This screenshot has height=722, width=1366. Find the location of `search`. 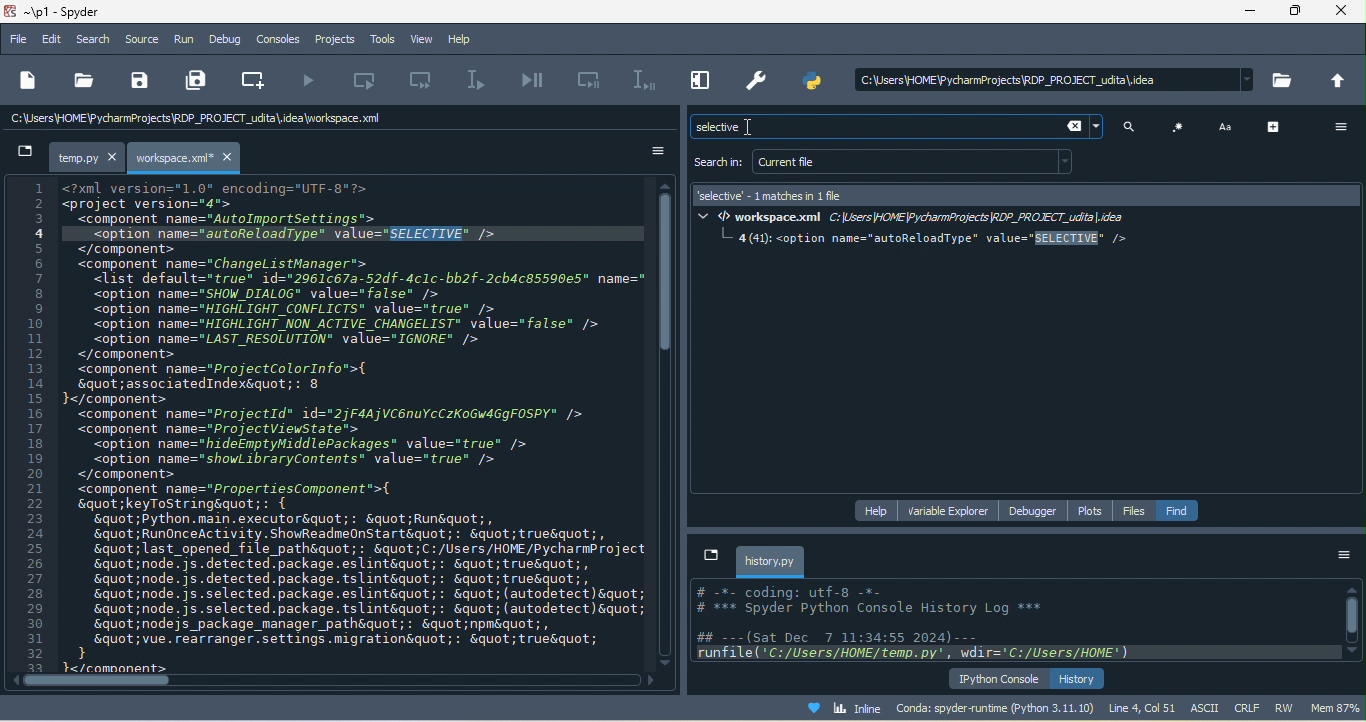

search is located at coordinates (95, 39).